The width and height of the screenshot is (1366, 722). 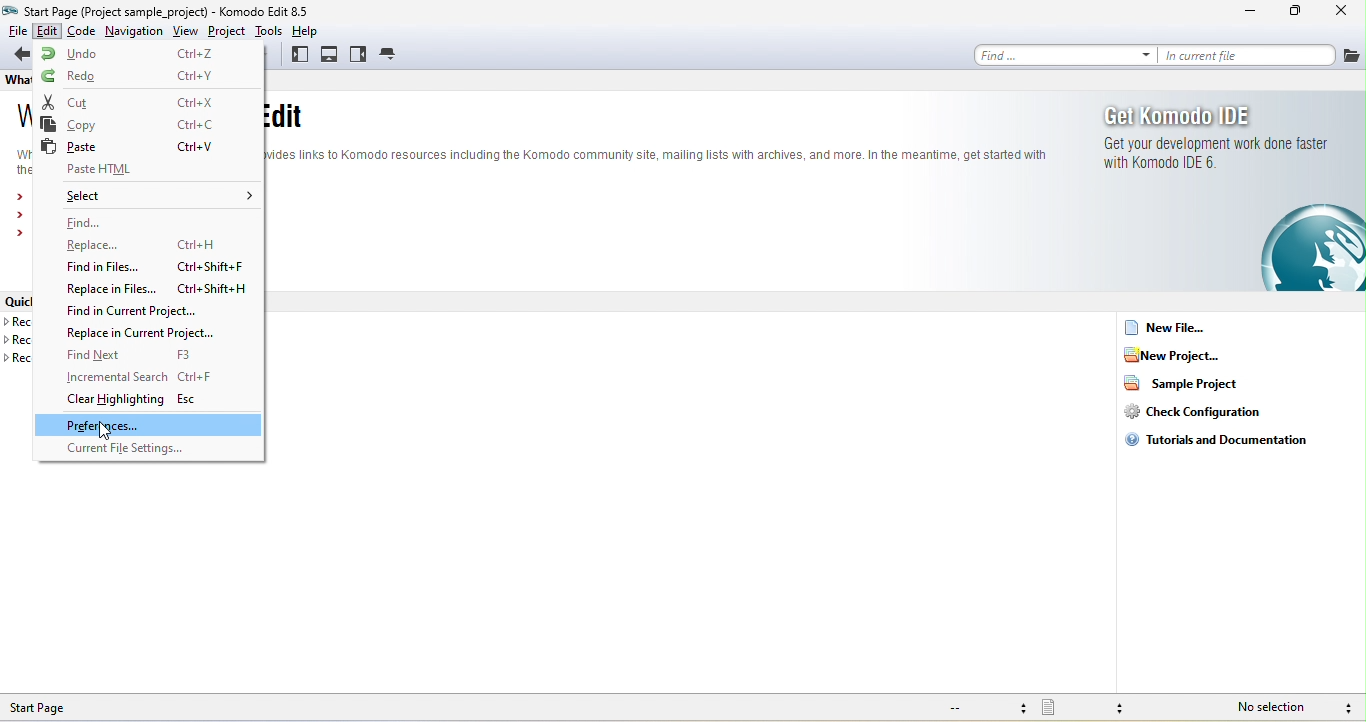 I want to click on replace in current project, so click(x=148, y=334).